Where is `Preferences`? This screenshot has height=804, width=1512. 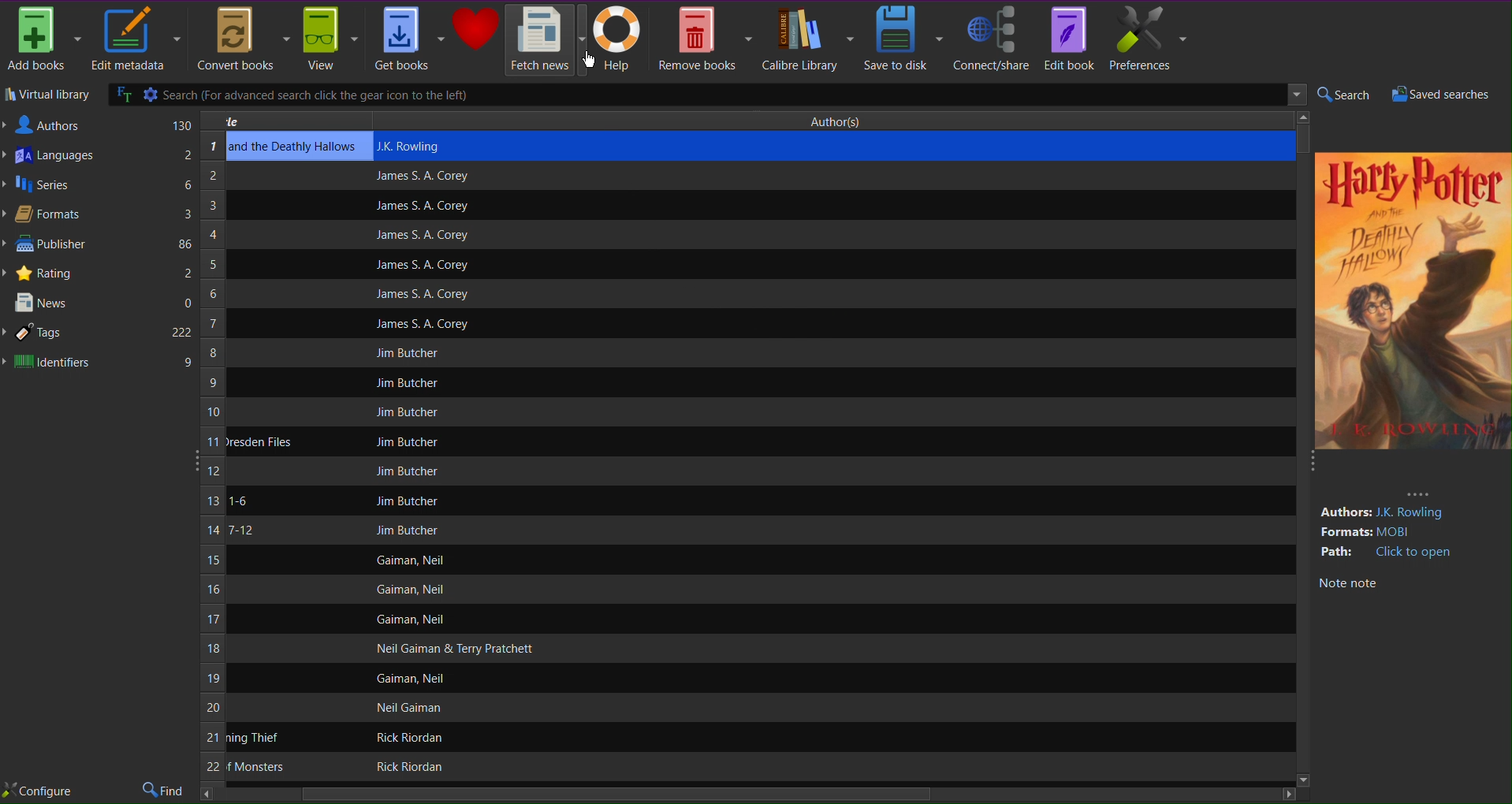 Preferences is located at coordinates (1149, 38).